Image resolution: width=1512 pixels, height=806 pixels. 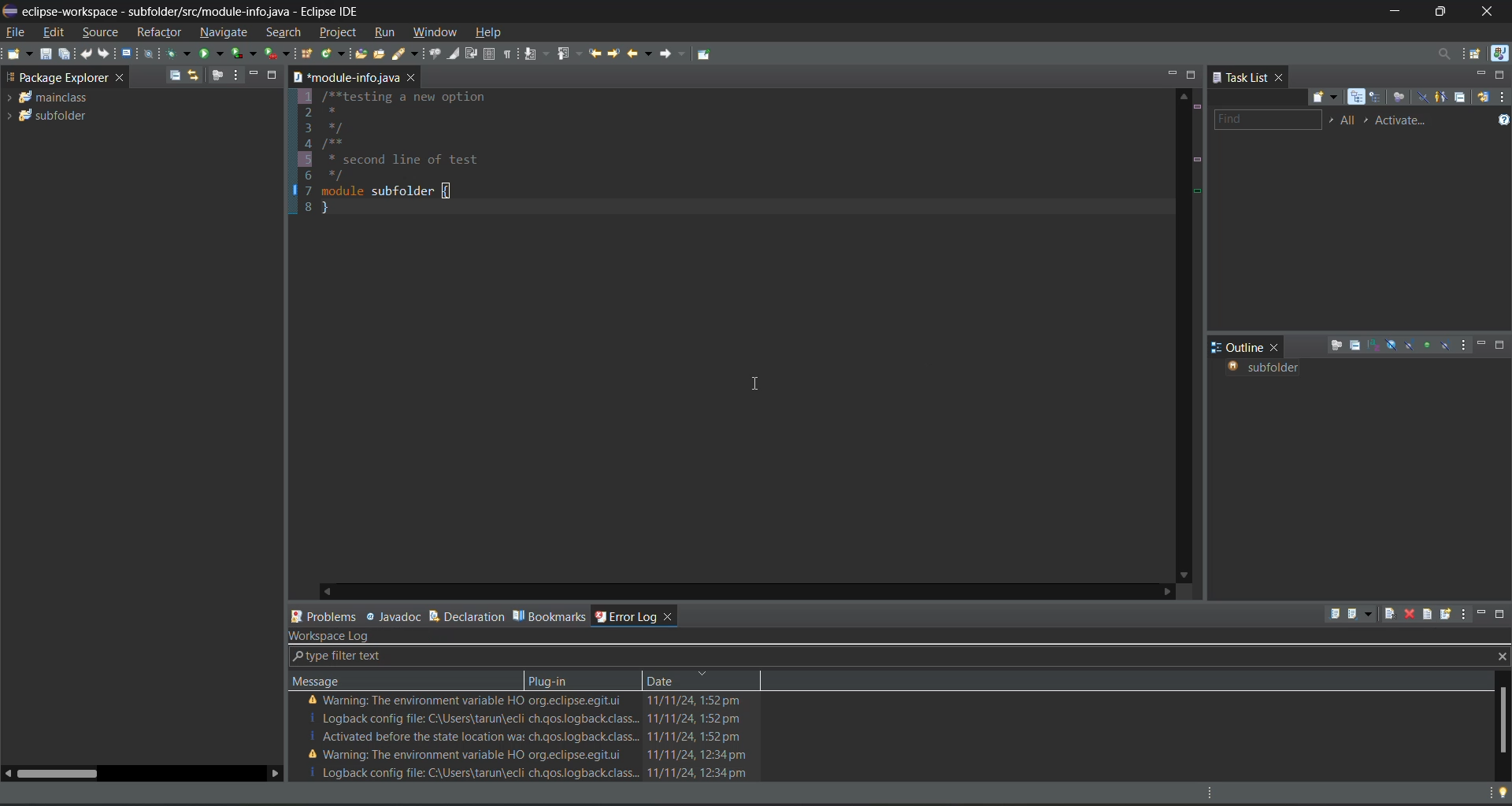 What do you see at coordinates (641, 53) in the screenshot?
I see `back` at bounding box center [641, 53].